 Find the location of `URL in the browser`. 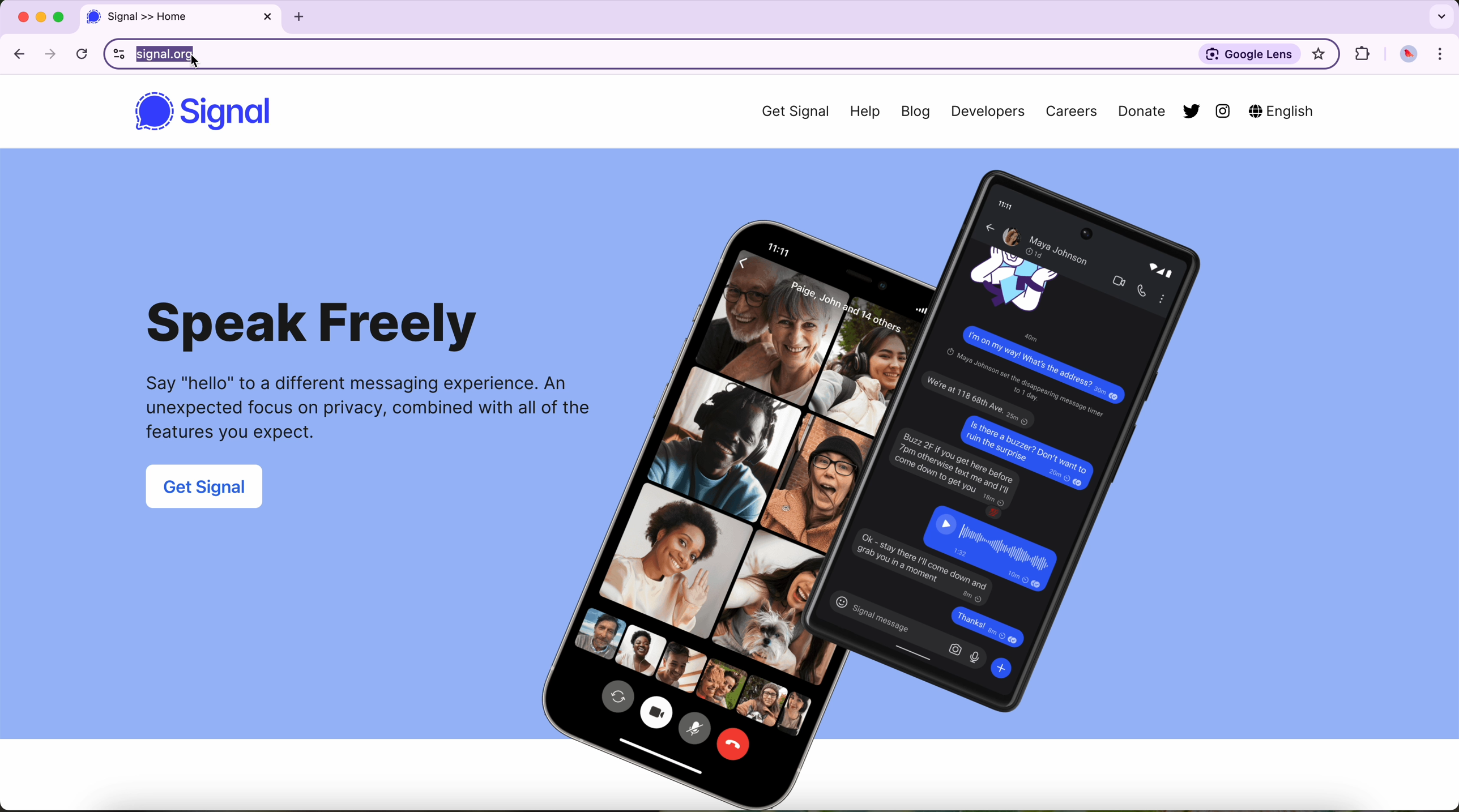

URL in the browser is located at coordinates (630, 54).